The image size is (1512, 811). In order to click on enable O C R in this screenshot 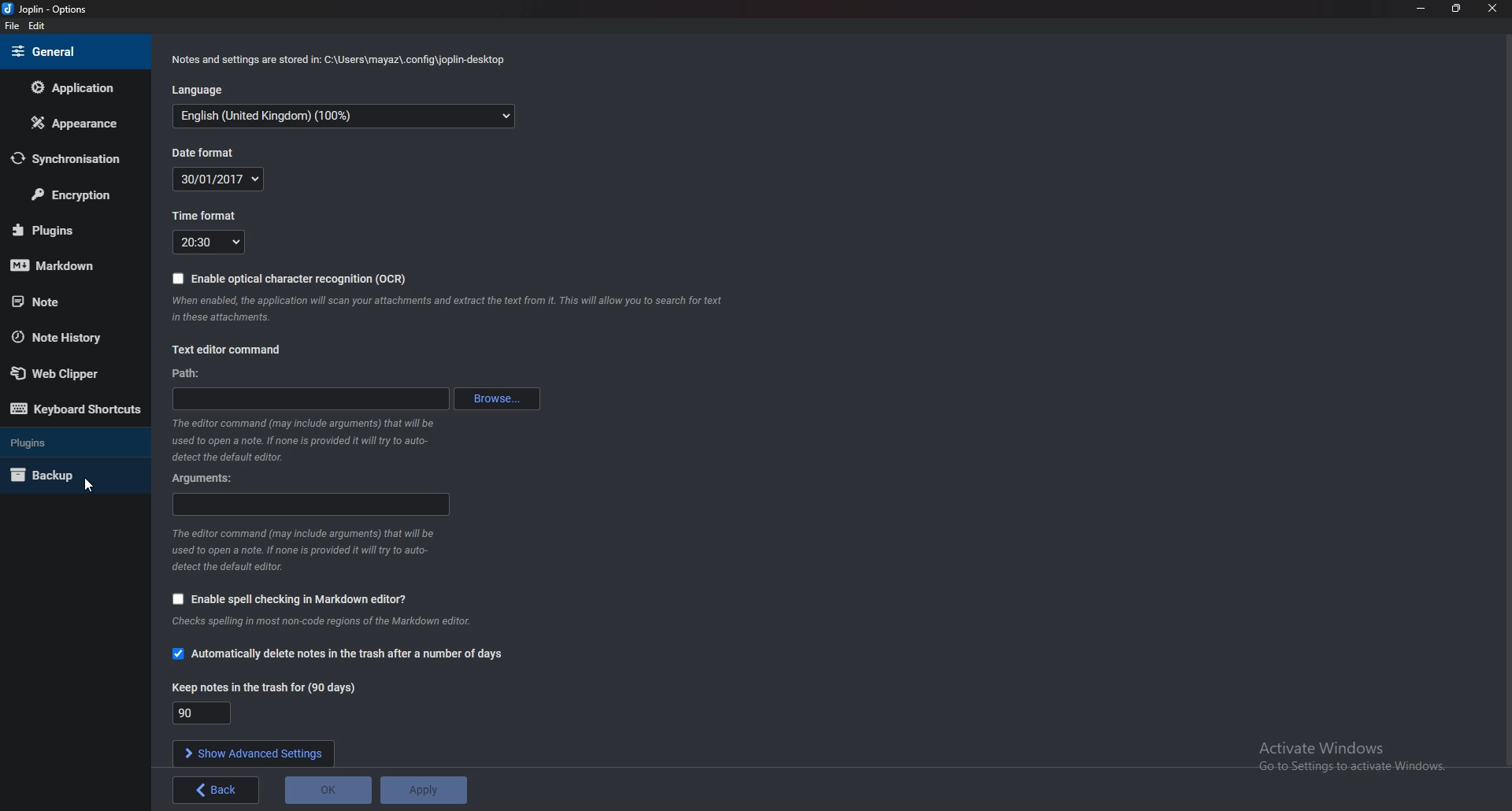, I will do `click(291, 279)`.